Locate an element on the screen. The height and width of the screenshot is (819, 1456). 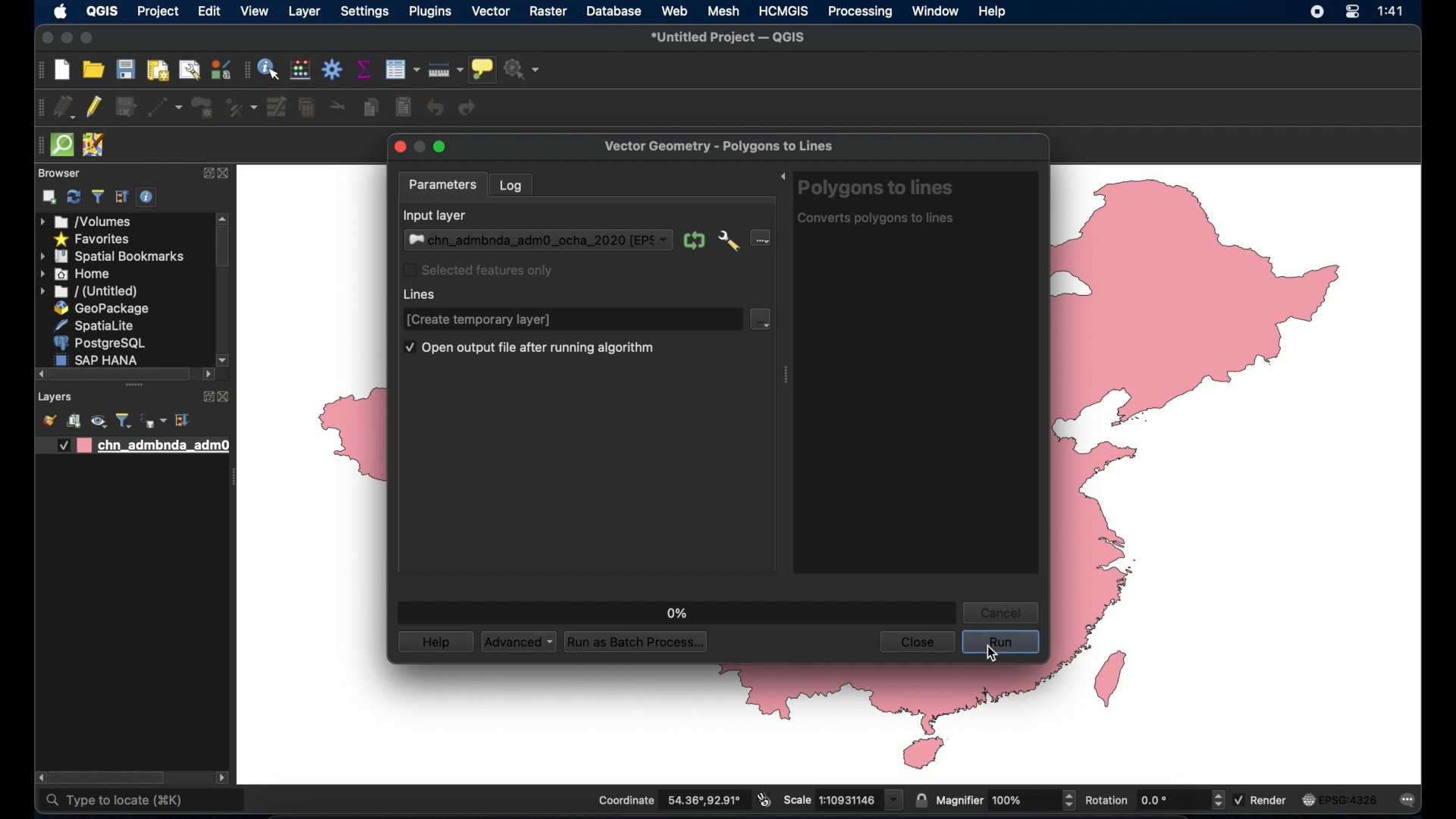
jsomremote is located at coordinates (95, 145).